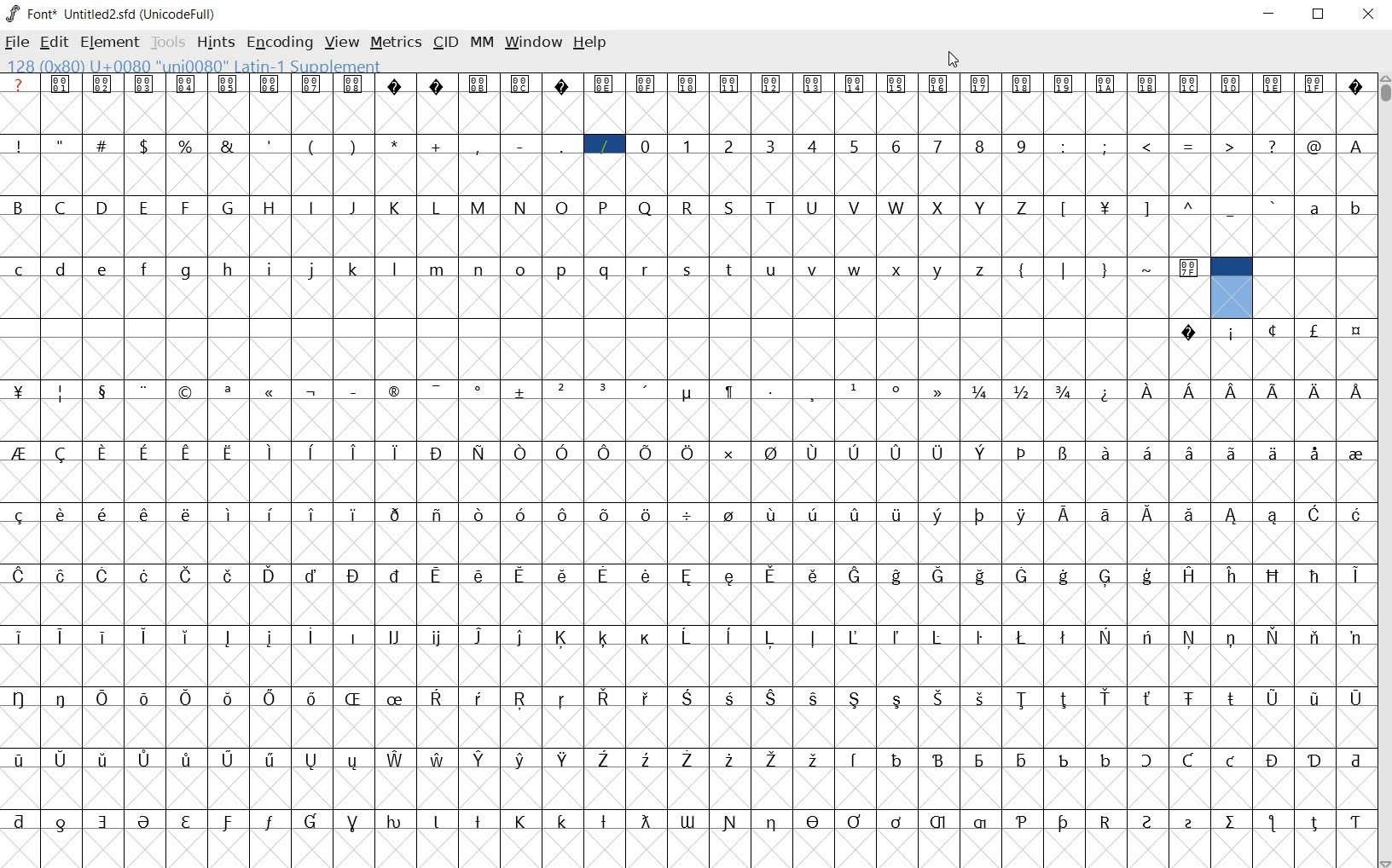  What do you see at coordinates (730, 268) in the screenshot?
I see `t` at bounding box center [730, 268].